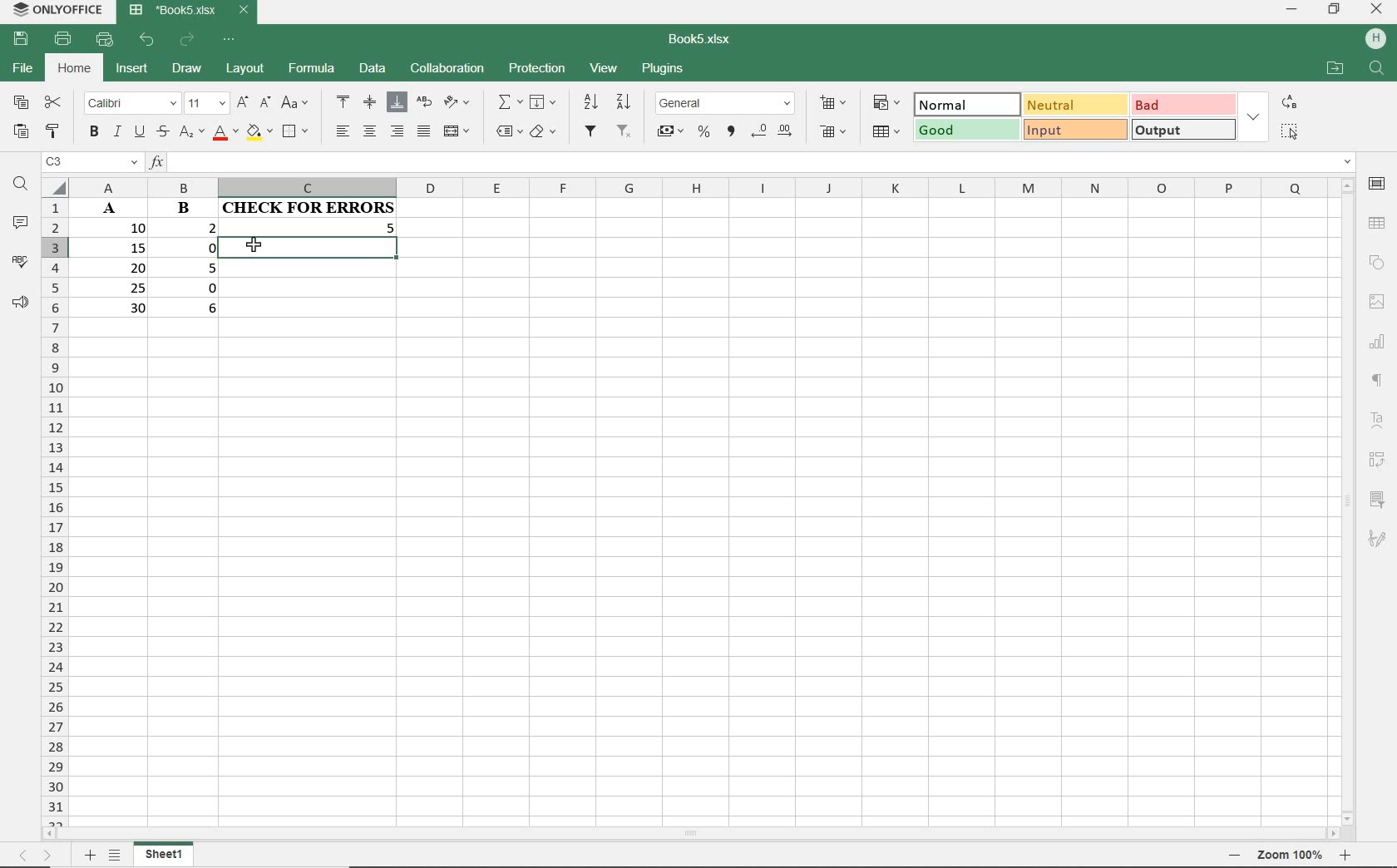 The height and width of the screenshot is (868, 1397). Describe the element at coordinates (161, 133) in the screenshot. I see `STRIKETHROUGH` at that location.